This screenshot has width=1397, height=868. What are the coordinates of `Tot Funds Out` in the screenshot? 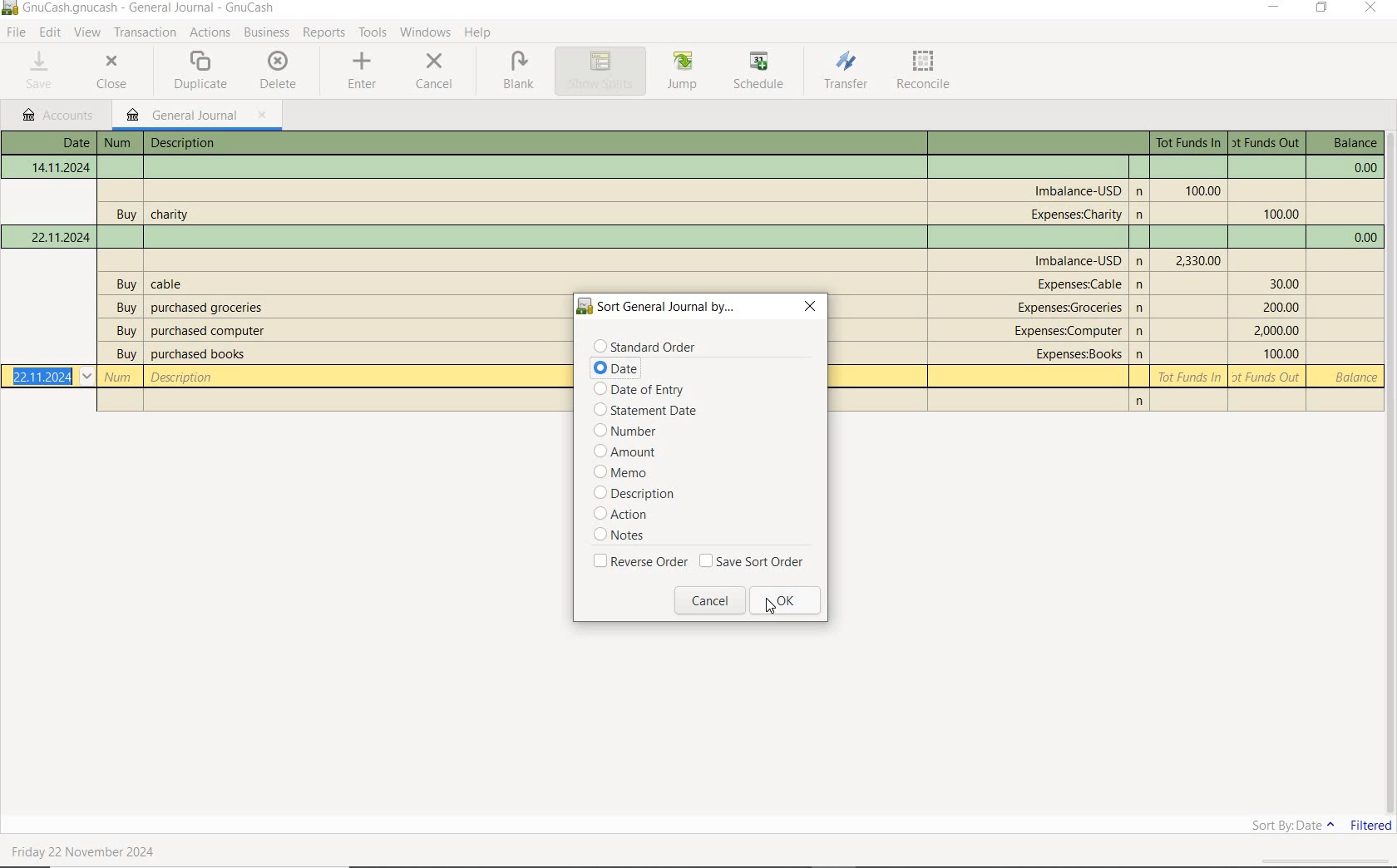 It's located at (1283, 284).